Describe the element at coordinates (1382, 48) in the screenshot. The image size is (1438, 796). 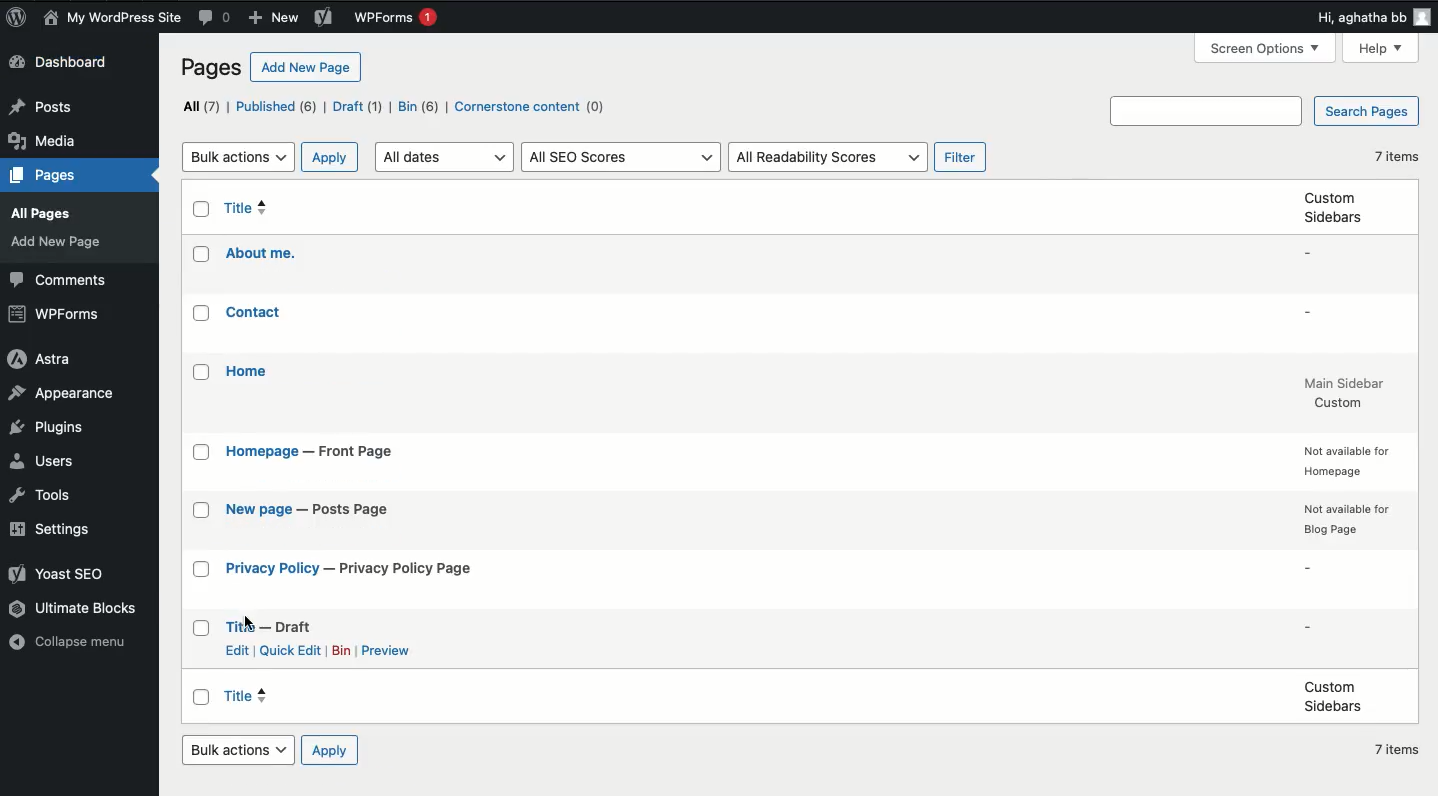
I see `Help` at that location.